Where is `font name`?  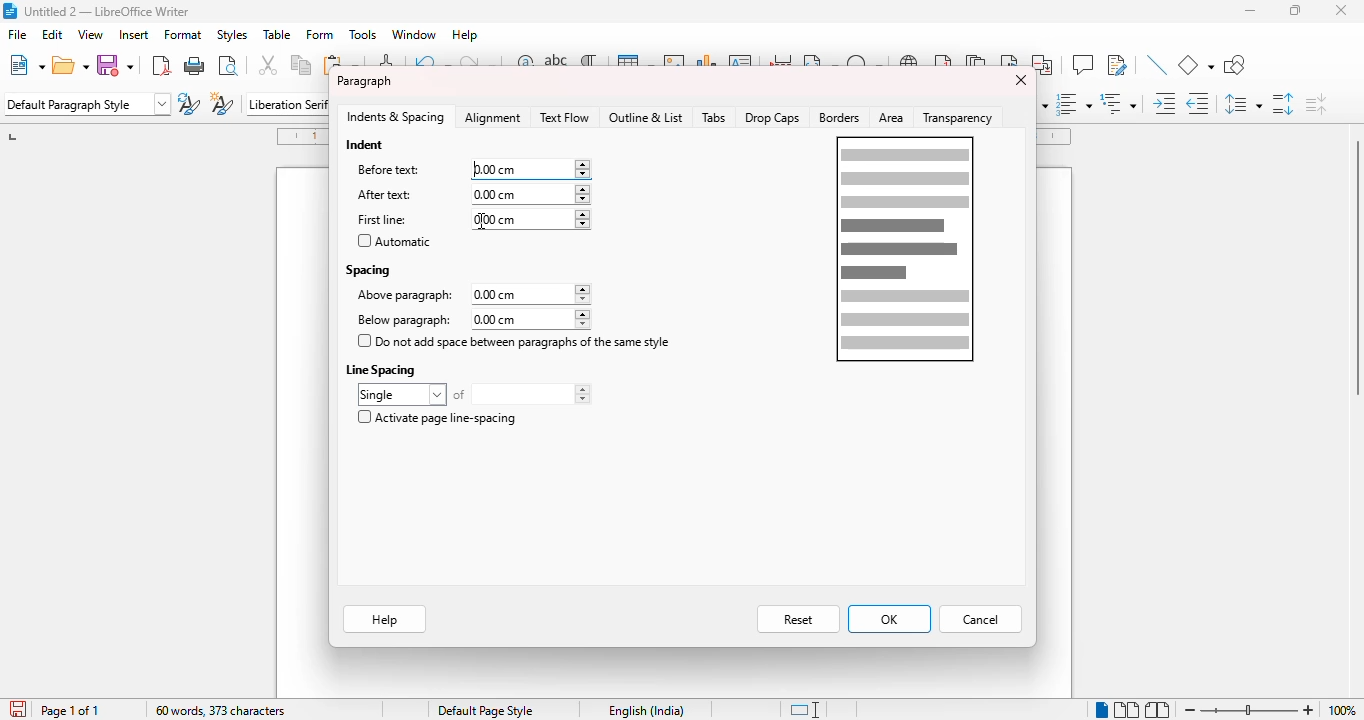
font name is located at coordinates (286, 103).